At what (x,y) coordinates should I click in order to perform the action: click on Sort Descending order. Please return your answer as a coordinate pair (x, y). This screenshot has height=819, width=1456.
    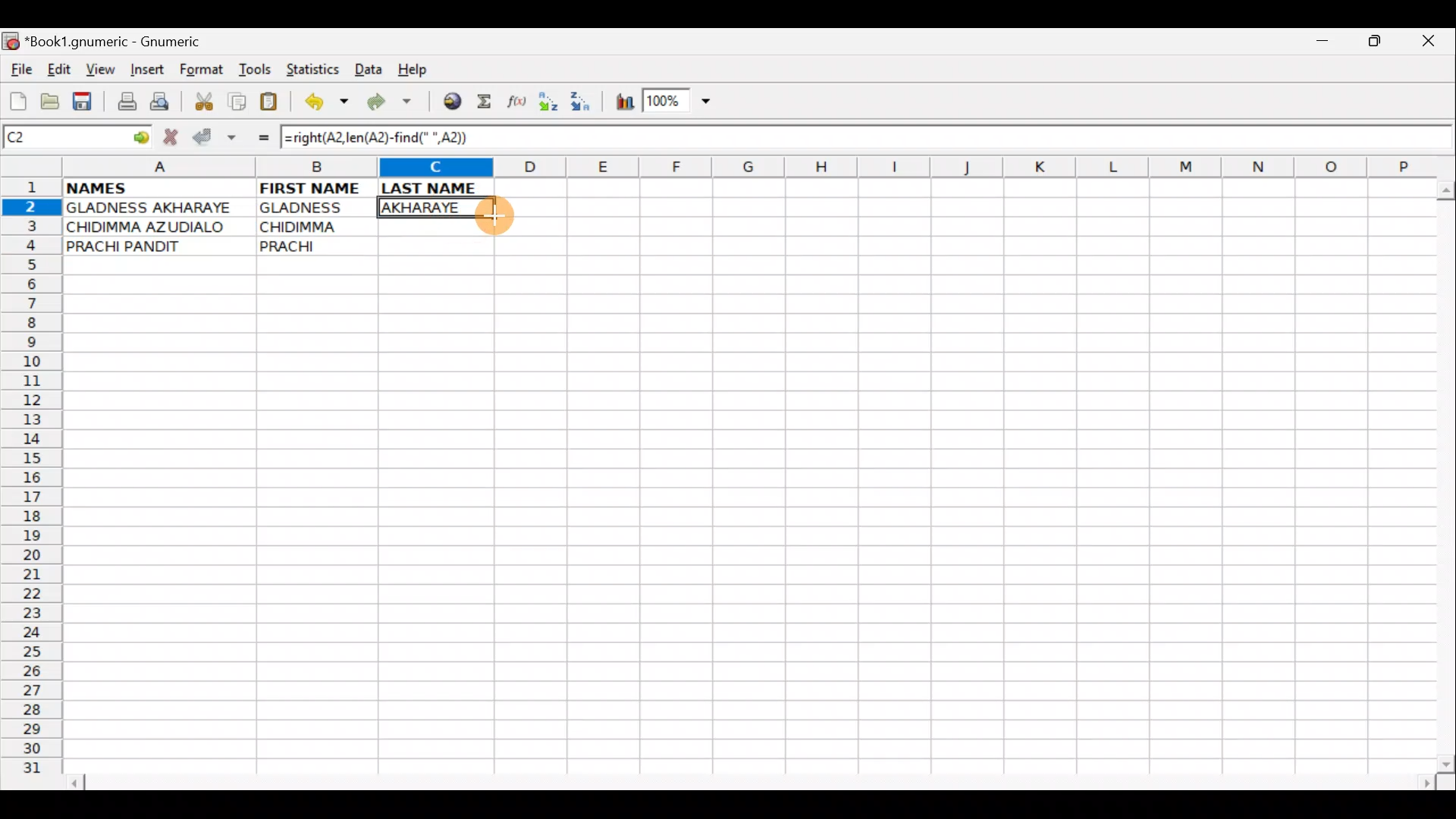
    Looking at the image, I should click on (585, 105).